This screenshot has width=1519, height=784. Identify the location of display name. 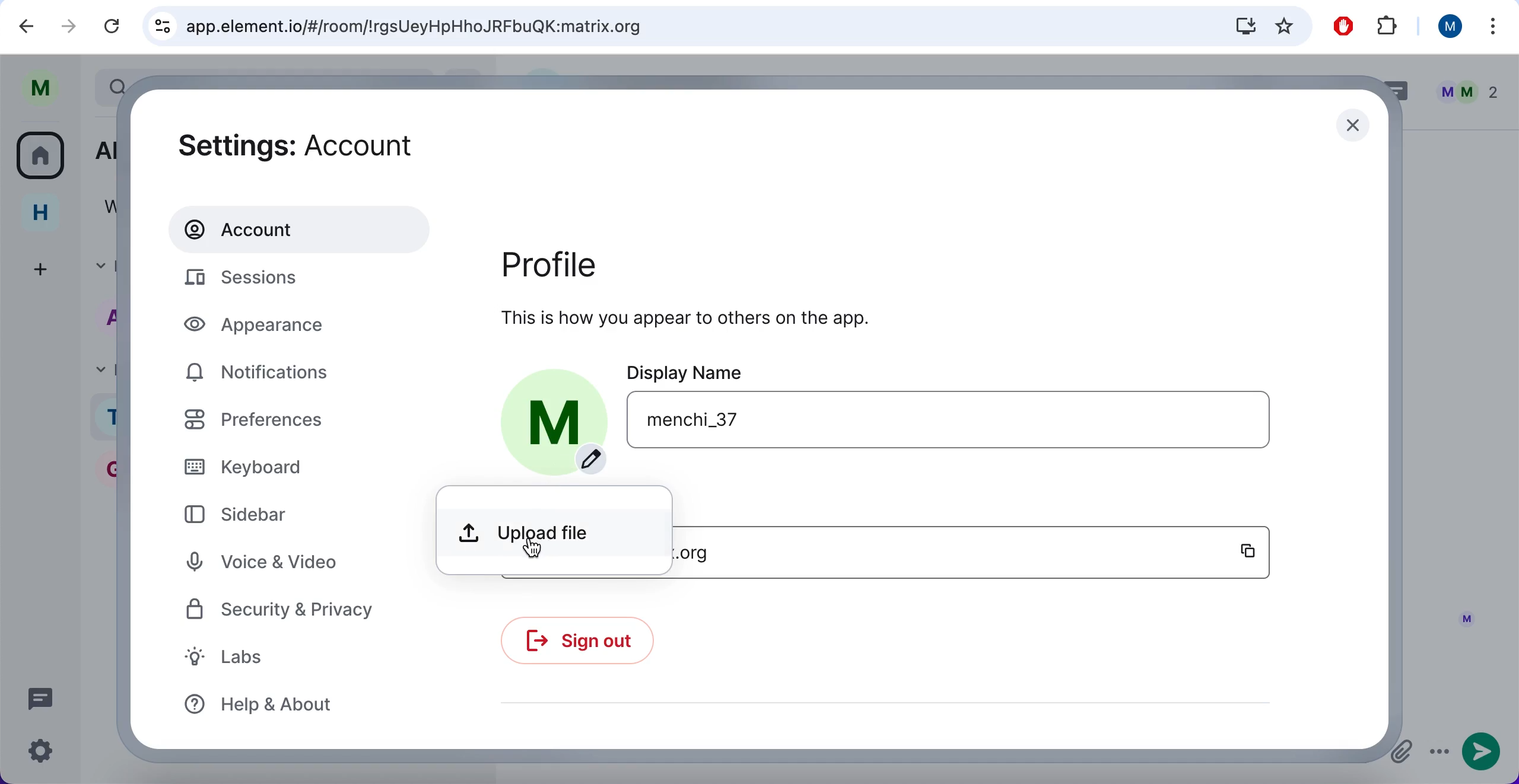
(832, 371).